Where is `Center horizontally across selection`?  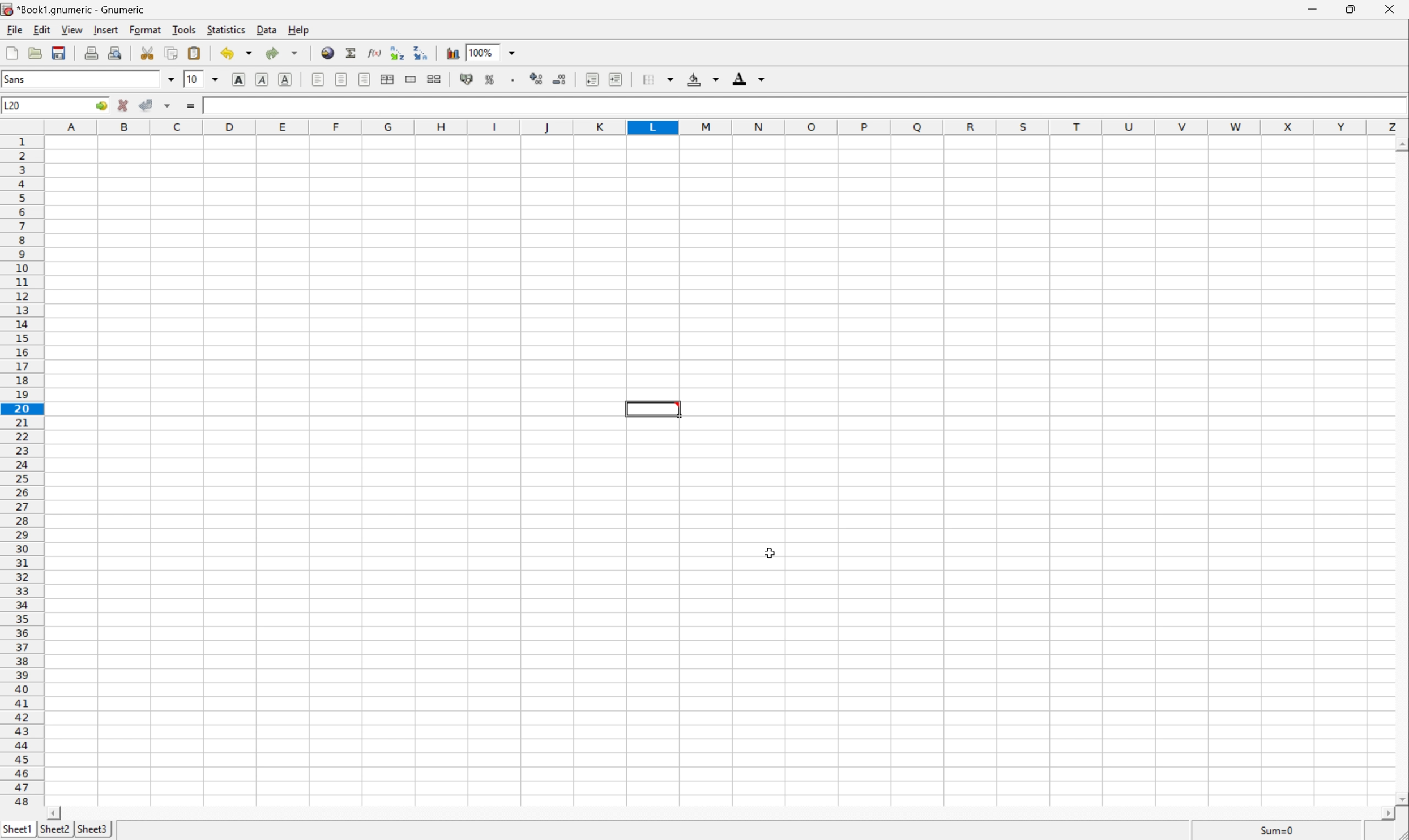 Center horizontally across selection is located at coordinates (387, 79).